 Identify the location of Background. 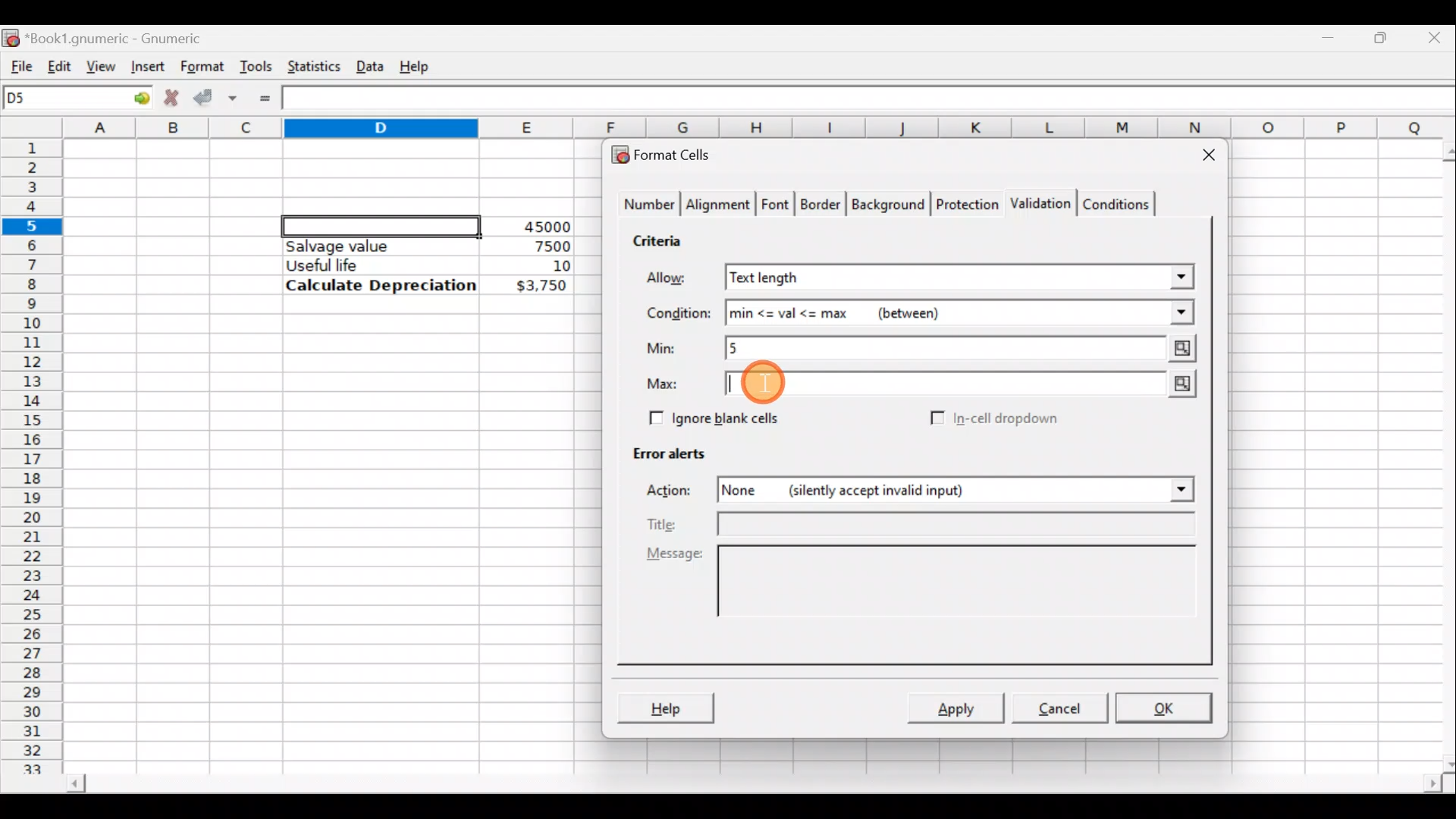
(887, 203).